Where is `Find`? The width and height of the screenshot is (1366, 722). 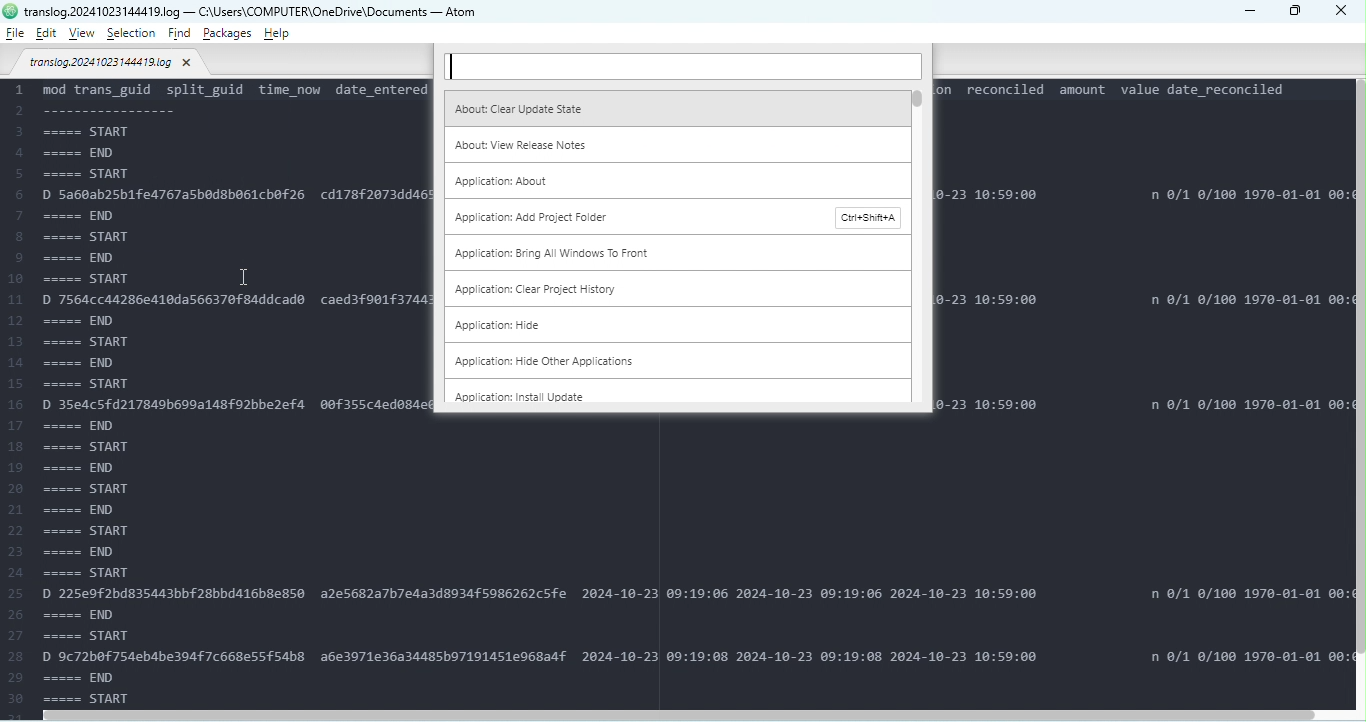
Find is located at coordinates (181, 35).